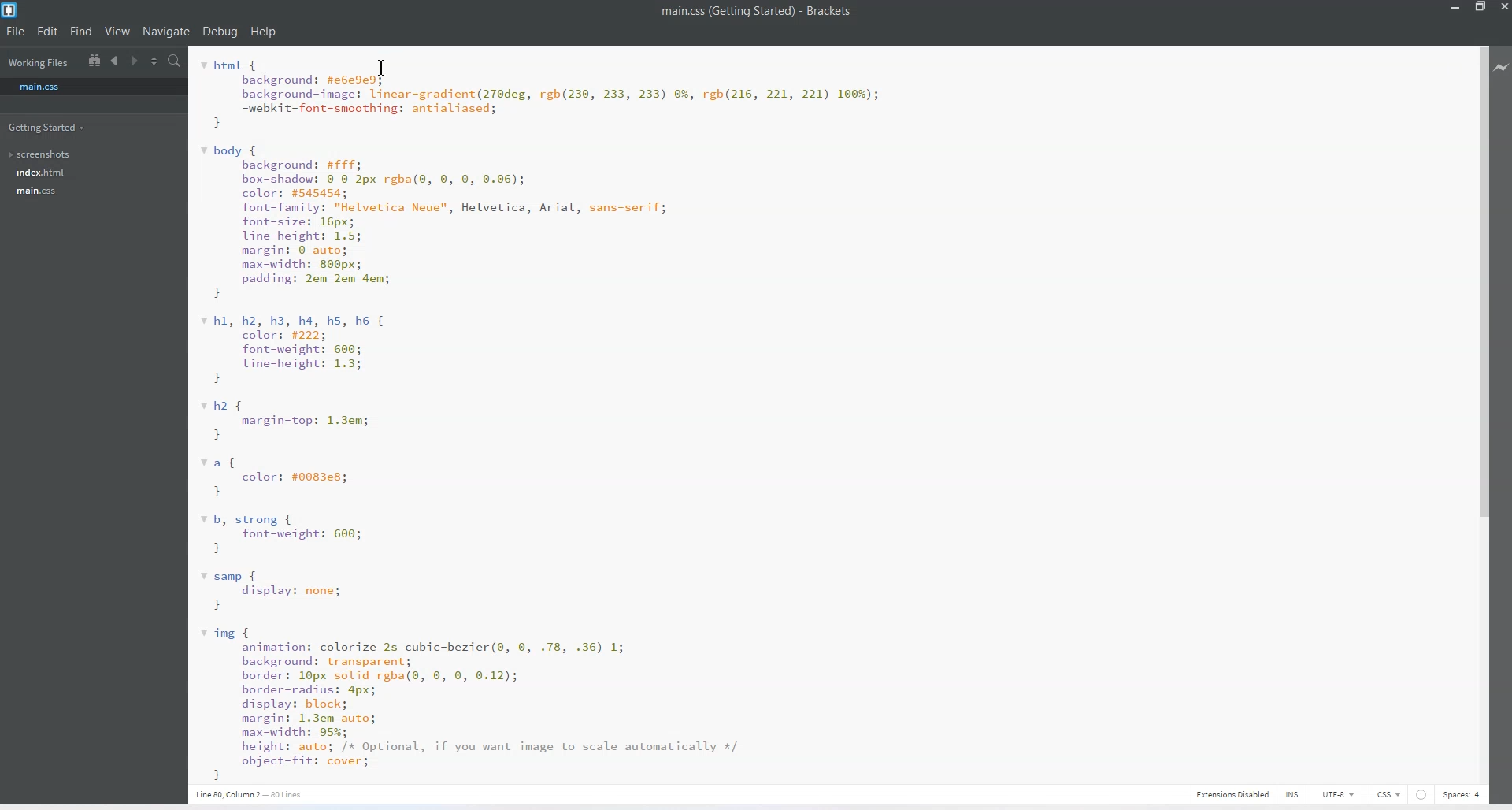  I want to click on Maximize, so click(1480, 8).